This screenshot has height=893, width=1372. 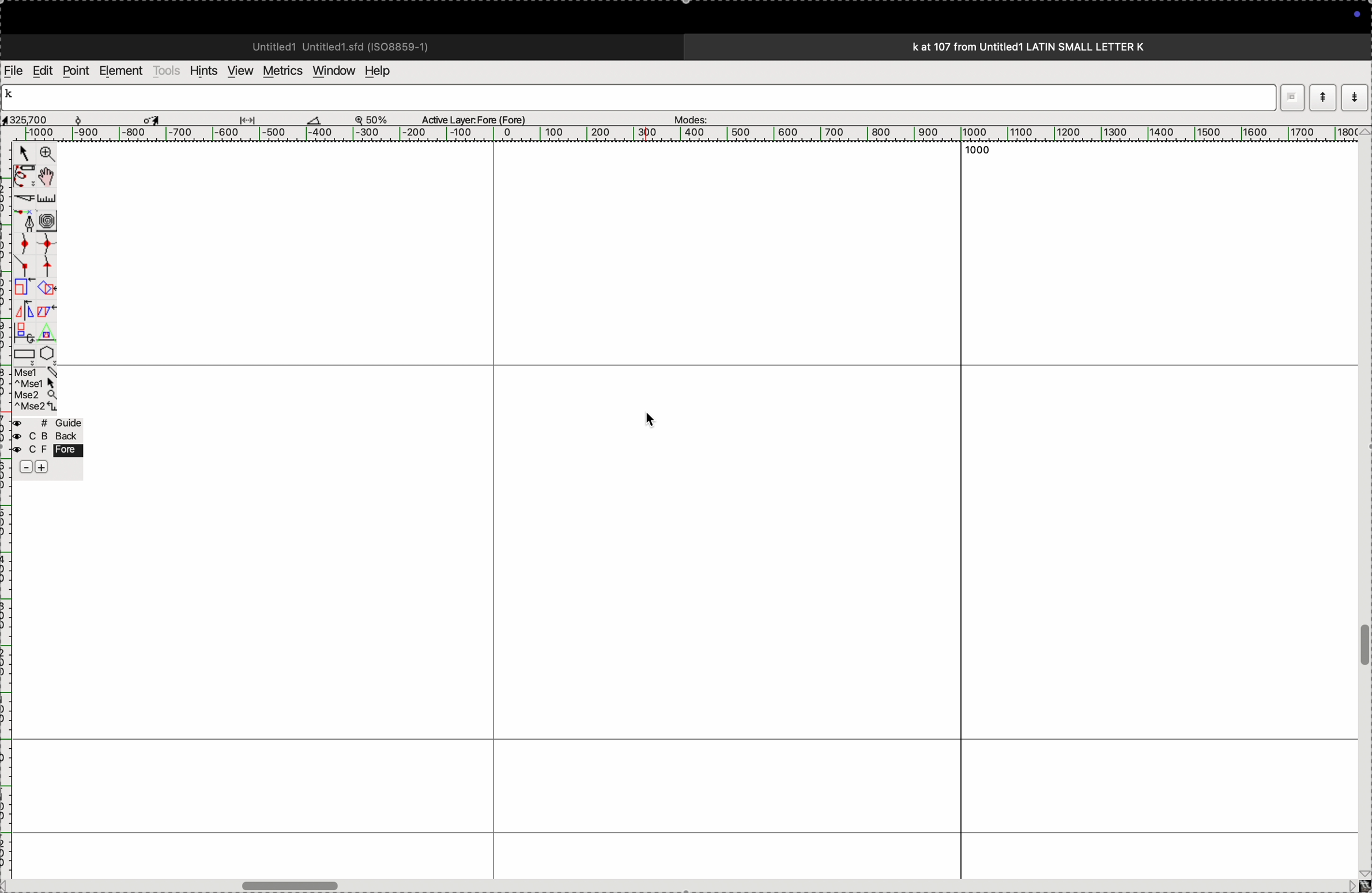 What do you see at coordinates (14, 96) in the screenshot?
I see `K` at bounding box center [14, 96].